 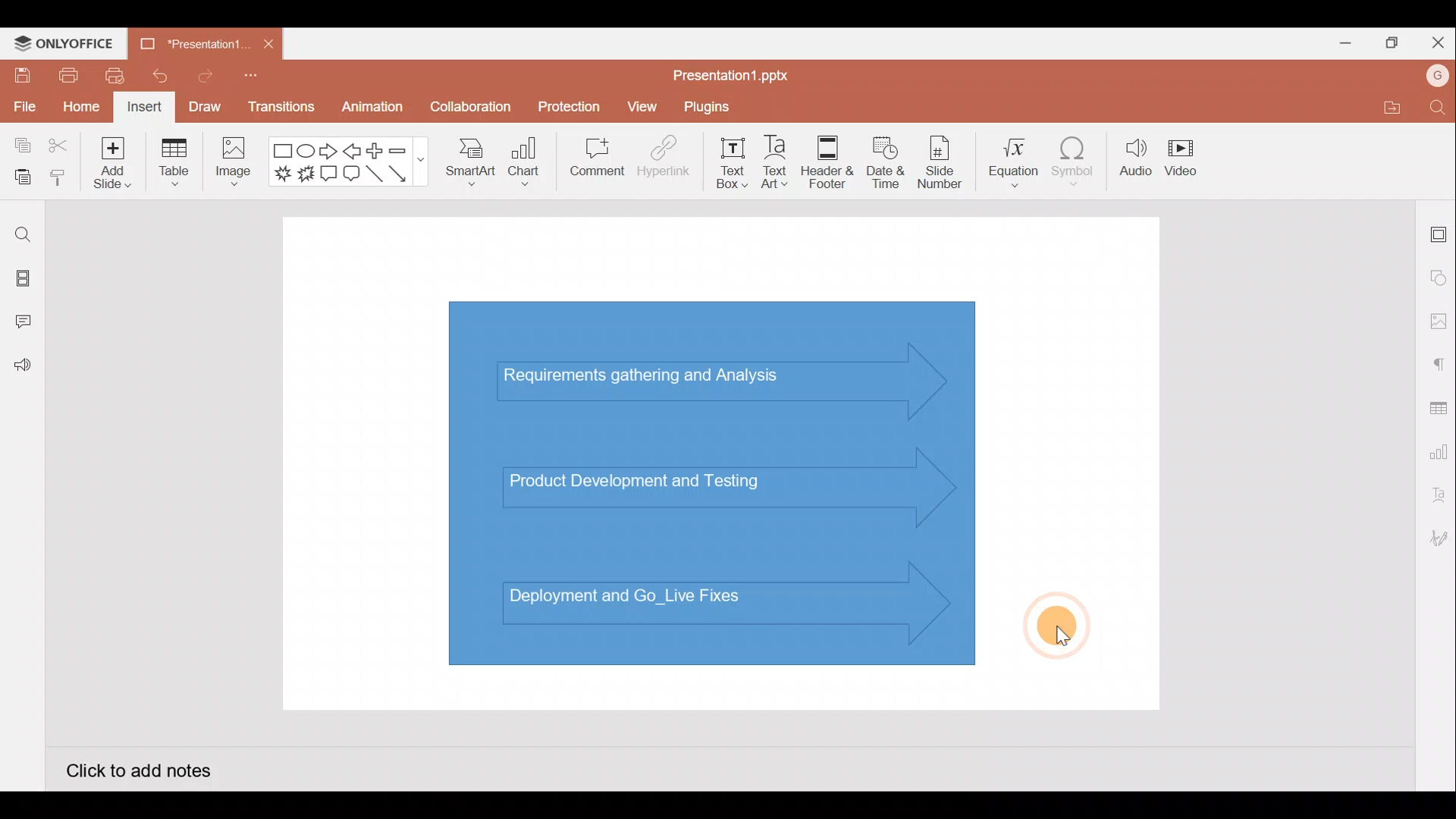 What do you see at coordinates (154, 76) in the screenshot?
I see `Undo` at bounding box center [154, 76].